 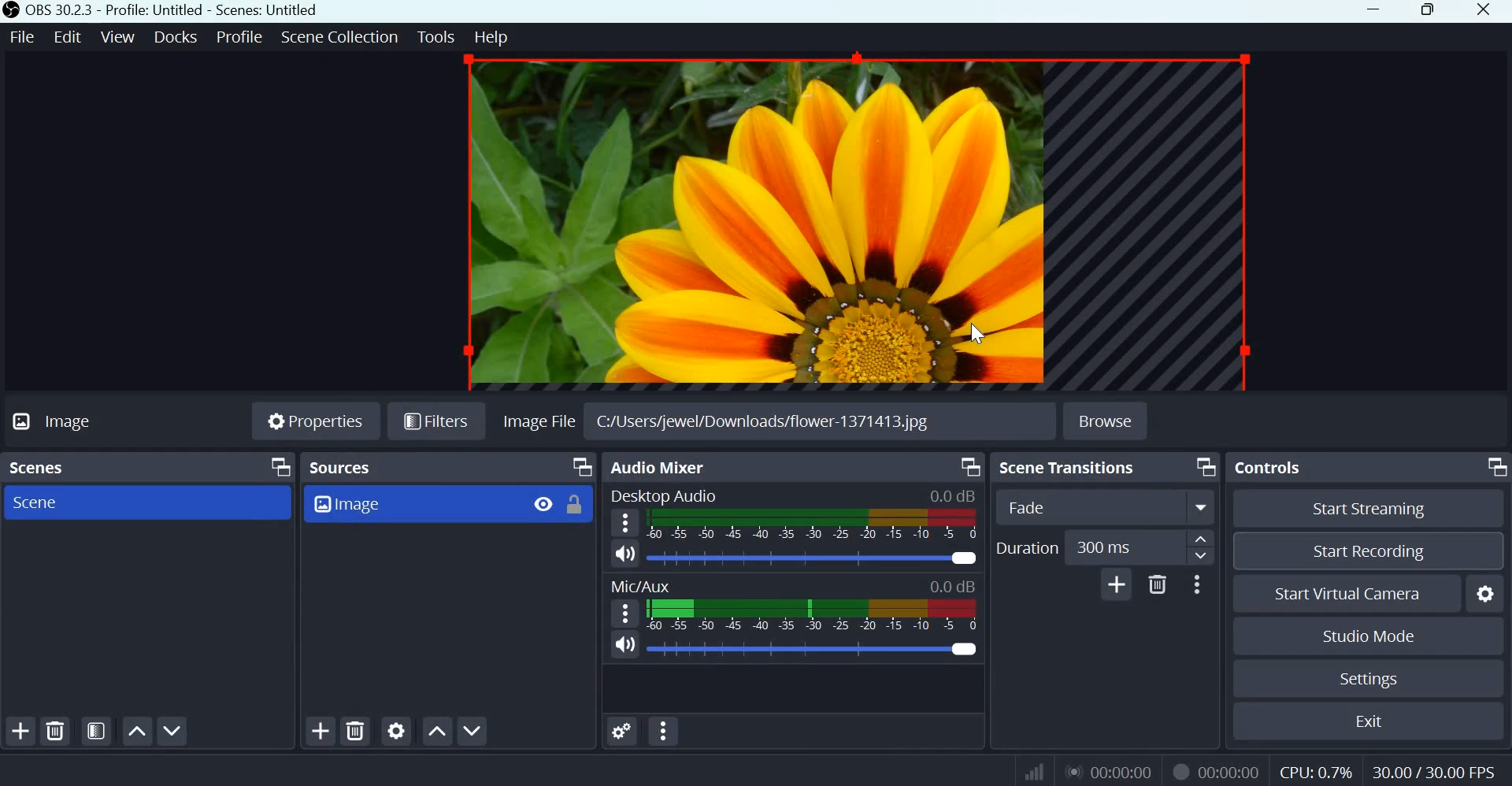 What do you see at coordinates (1314, 769) in the screenshot?
I see `CPU: 0.7%` at bounding box center [1314, 769].